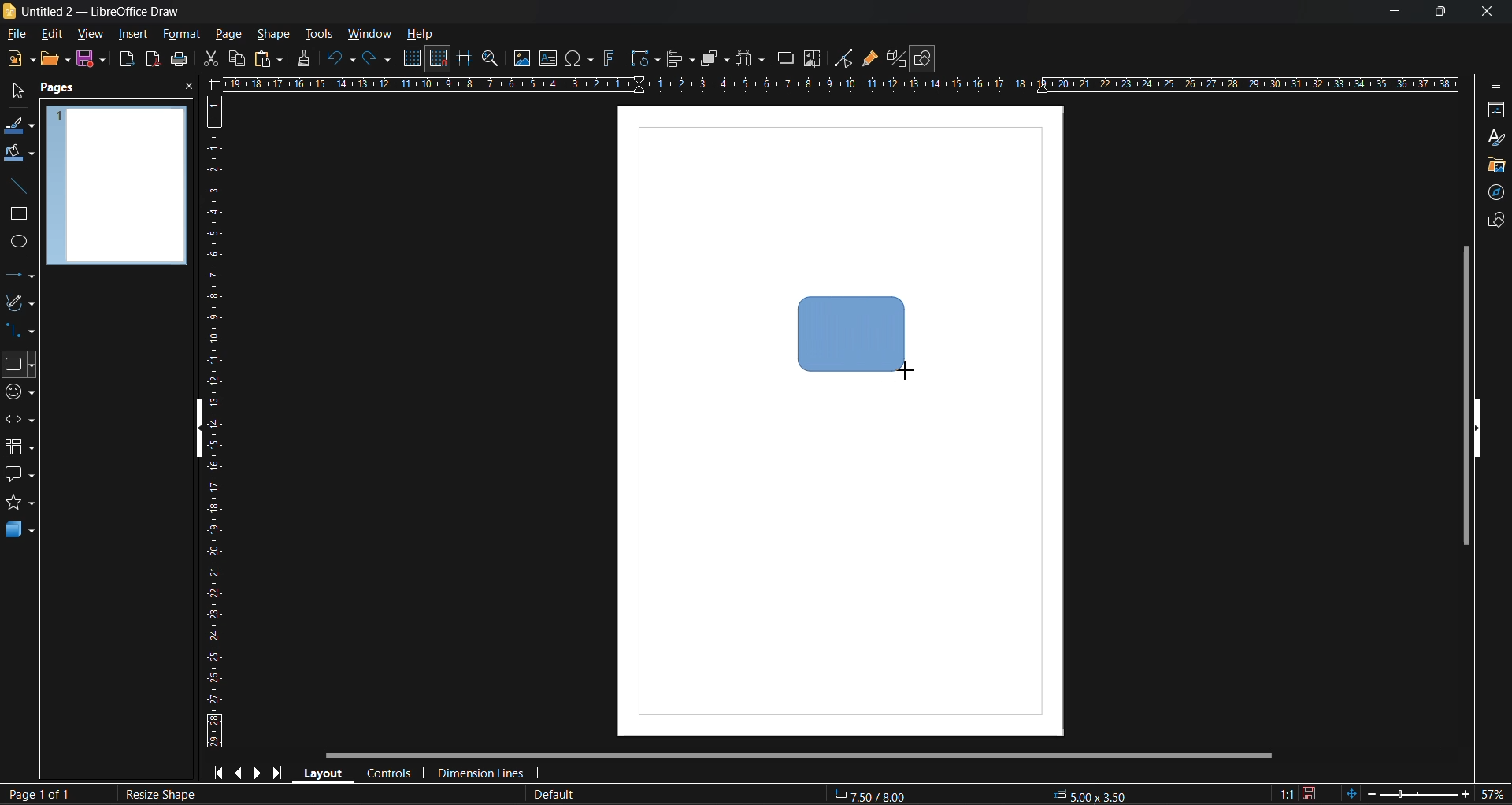 The image size is (1512, 805). I want to click on arrange, so click(715, 58).